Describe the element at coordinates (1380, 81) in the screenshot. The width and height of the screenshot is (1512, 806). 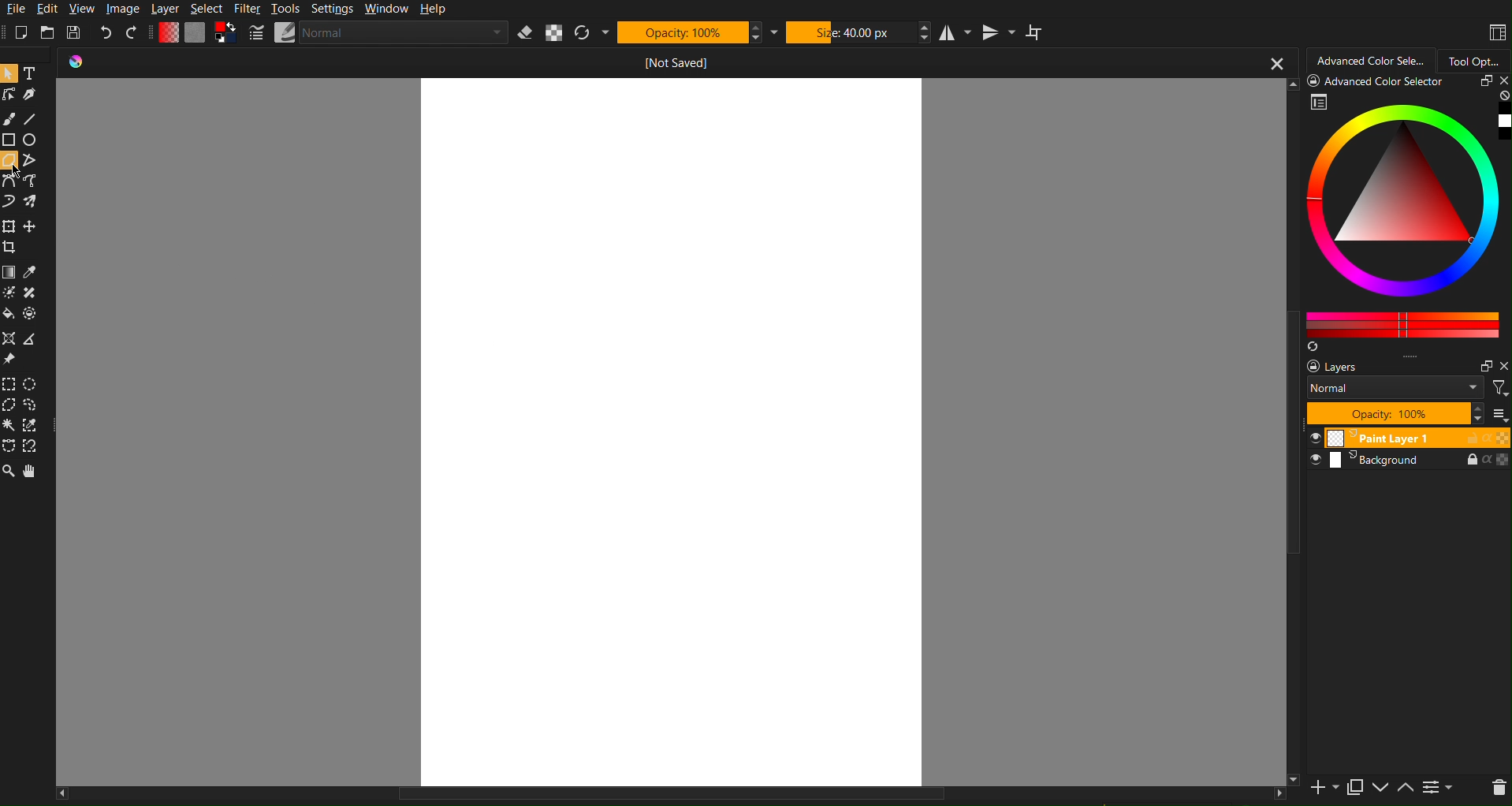
I see `Advanced Color Selector` at that location.